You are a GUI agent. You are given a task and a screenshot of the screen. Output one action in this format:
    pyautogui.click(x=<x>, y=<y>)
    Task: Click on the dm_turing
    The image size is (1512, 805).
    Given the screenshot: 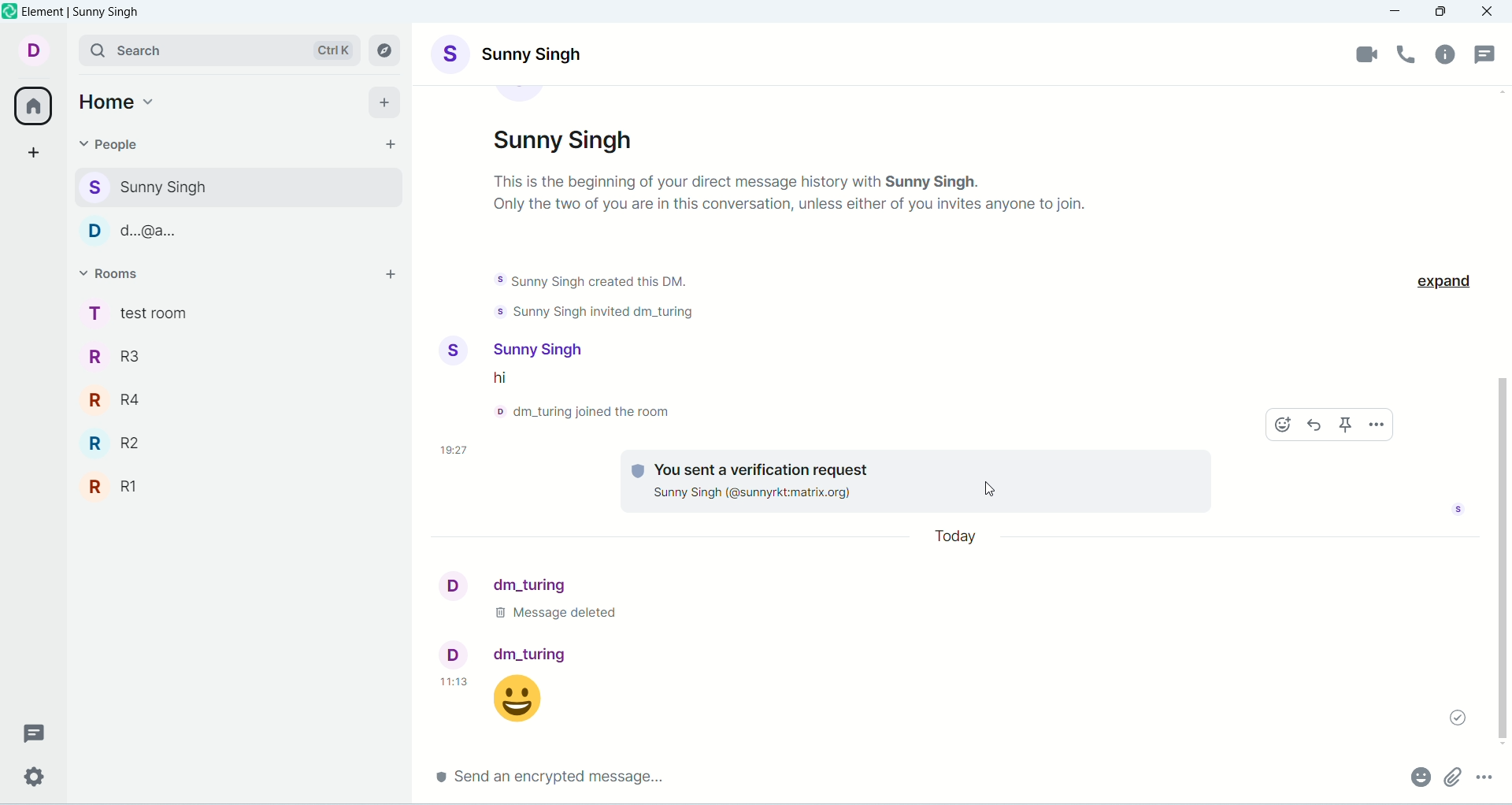 What is the action you would take?
    pyautogui.click(x=532, y=584)
    